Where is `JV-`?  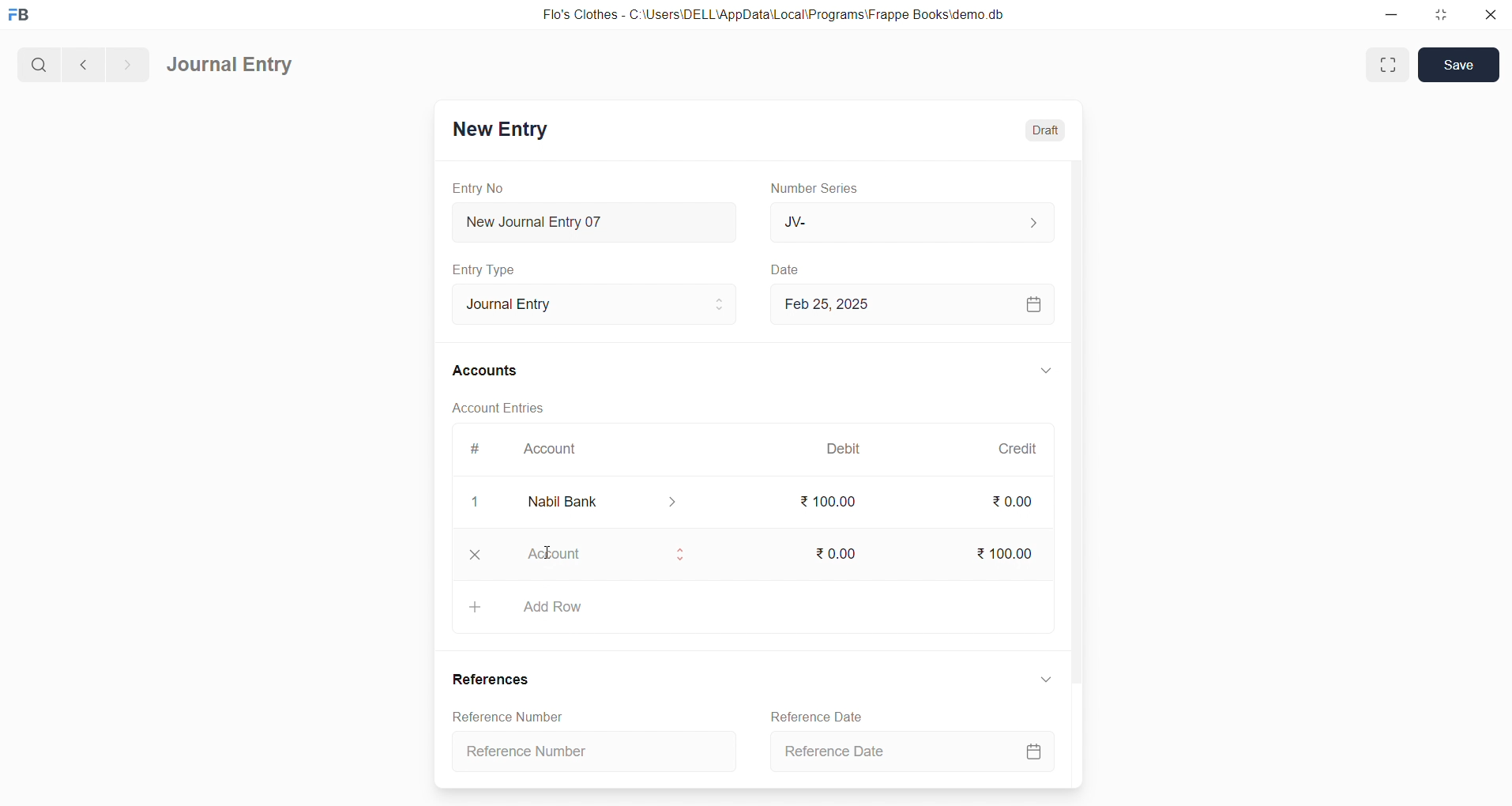 JV- is located at coordinates (910, 223).